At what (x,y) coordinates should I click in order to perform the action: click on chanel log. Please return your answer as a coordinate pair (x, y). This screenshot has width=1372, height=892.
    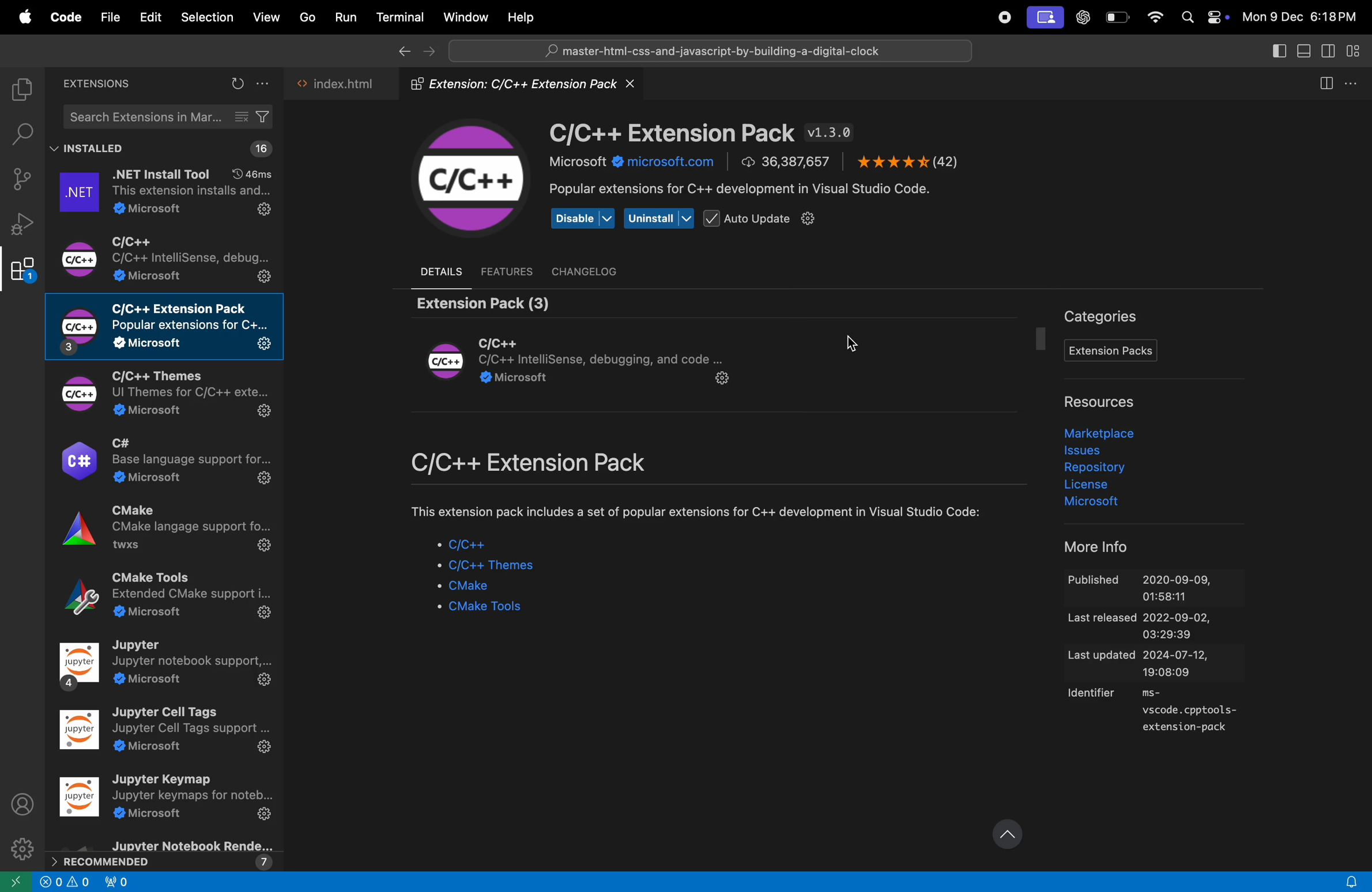
    Looking at the image, I should click on (594, 270).